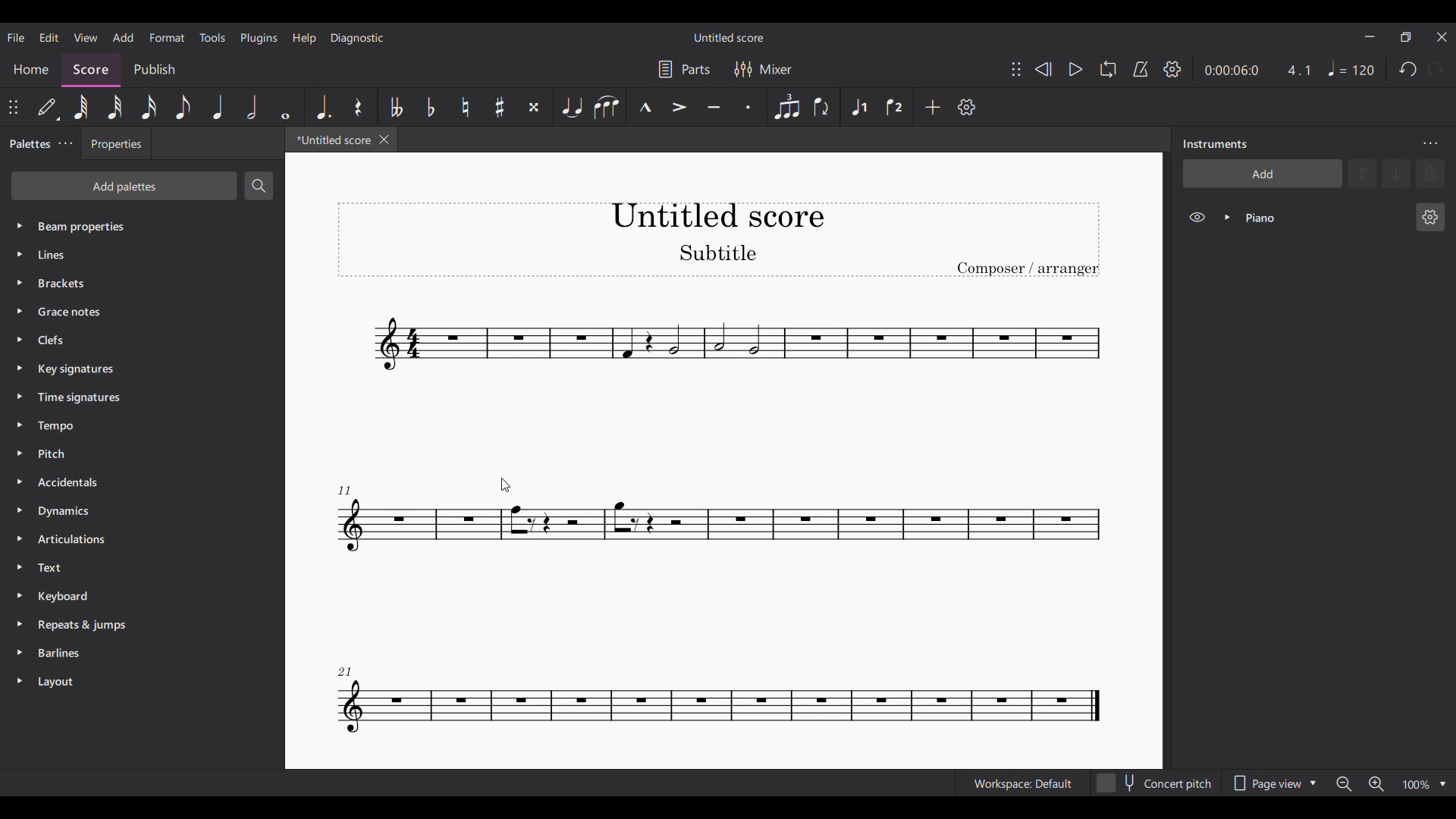 This screenshot has height=819, width=1456. Describe the element at coordinates (154, 67) in the screenshot. I see `Publish section` at that location.